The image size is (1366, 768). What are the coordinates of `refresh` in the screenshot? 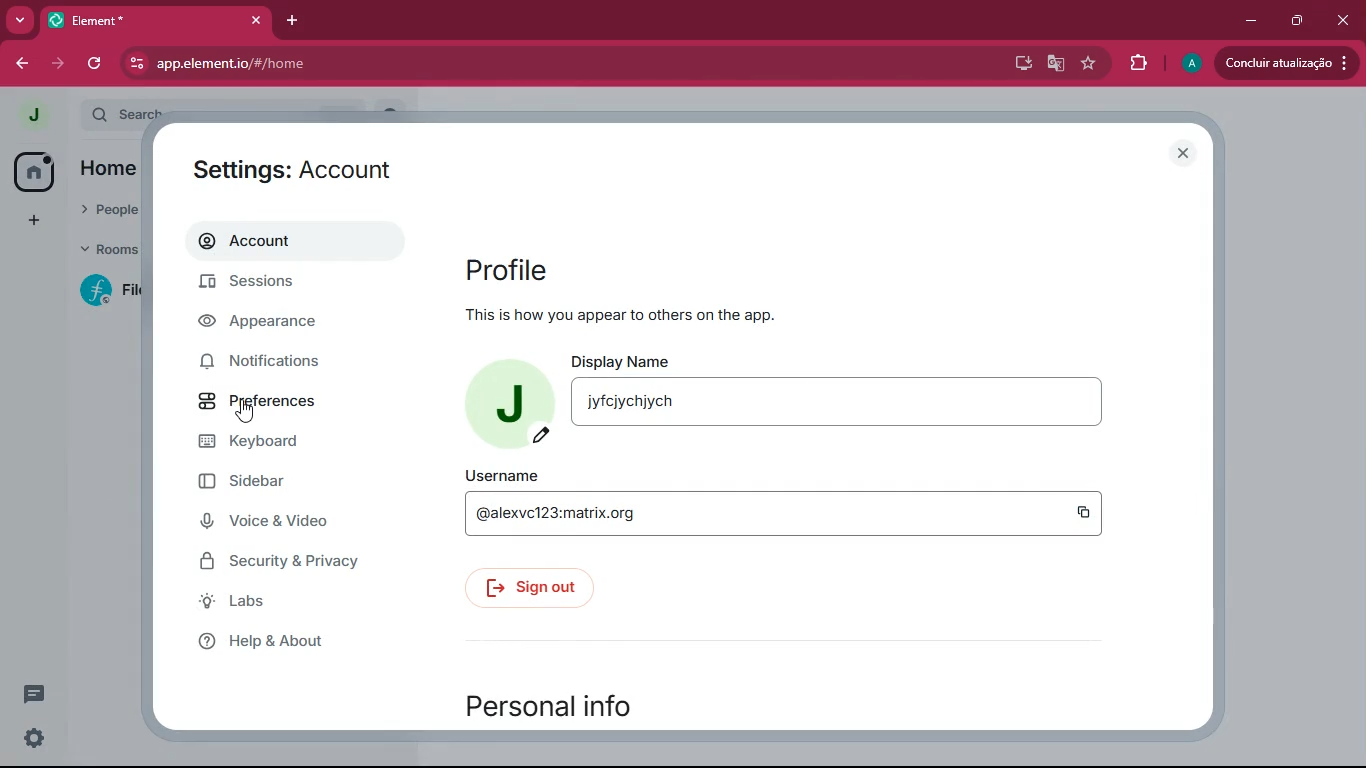 It's located at (96, 65).